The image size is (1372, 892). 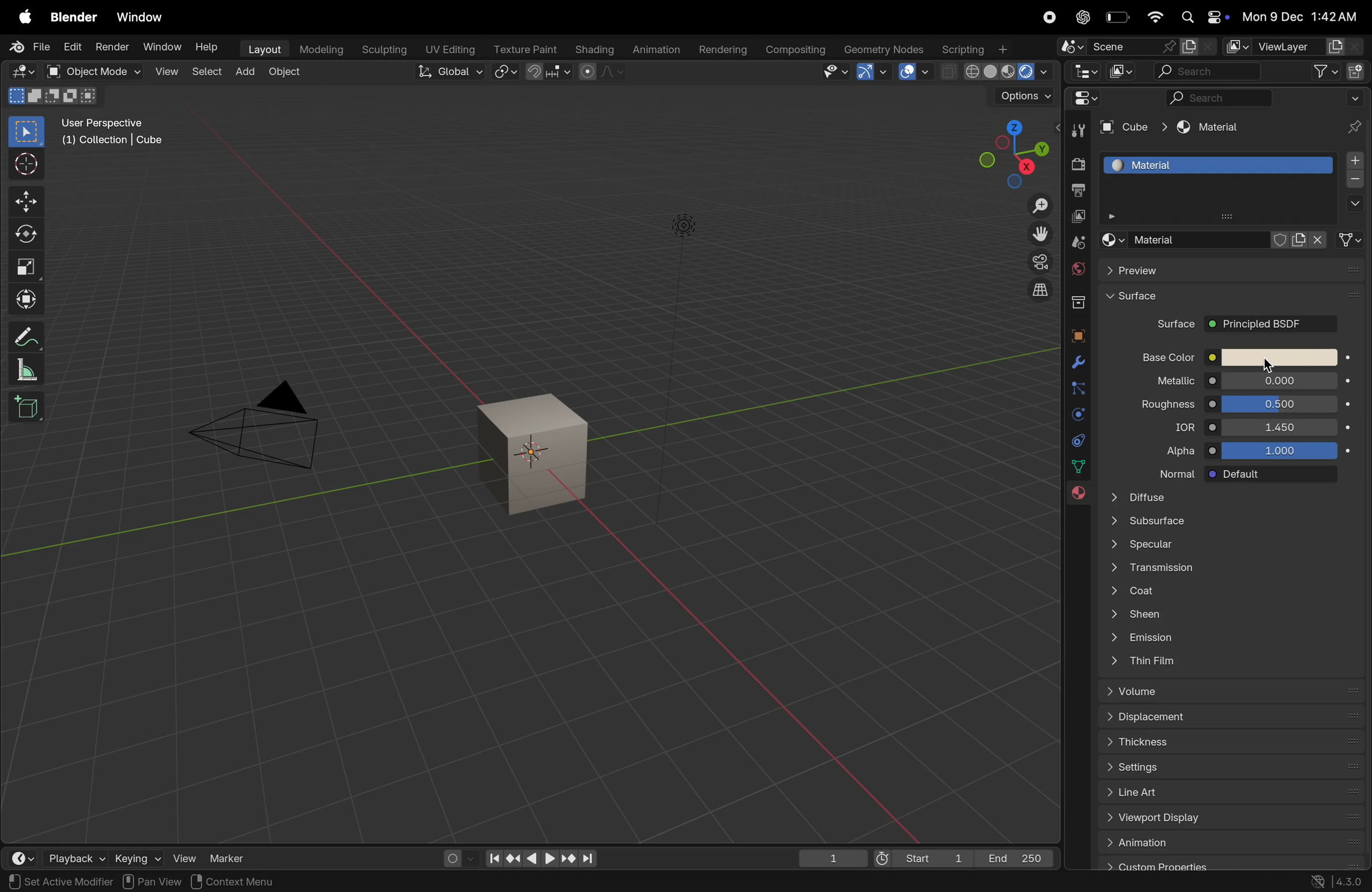 What do you see at coordinates (1075, 333) in the screenshot?
I see `objects` at bounding box center [1075, 333].